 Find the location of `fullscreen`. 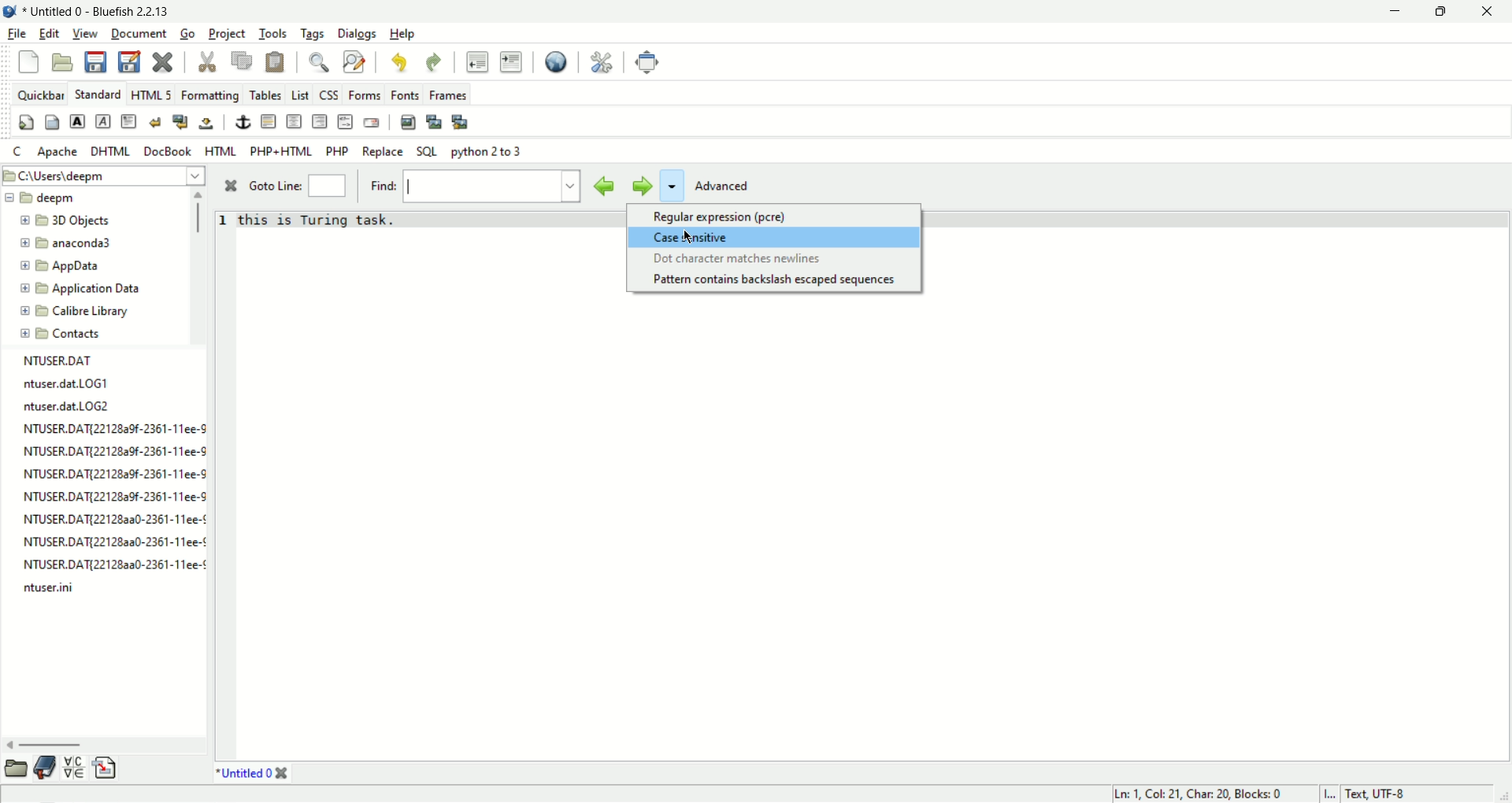

fullscreen is located at coordinates (648, 62).